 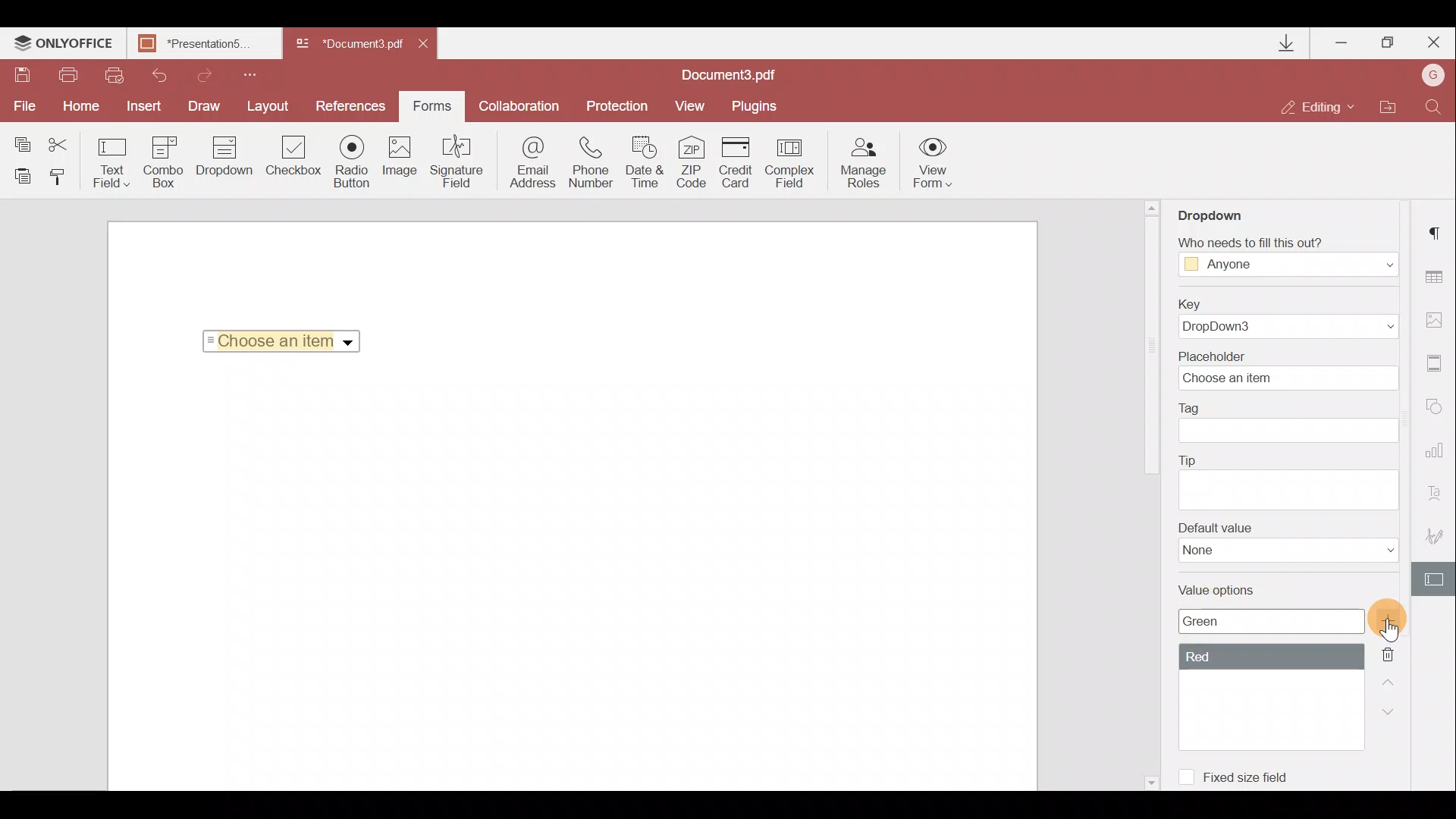 I want to click on Signature field, so click(x=459, y=165).